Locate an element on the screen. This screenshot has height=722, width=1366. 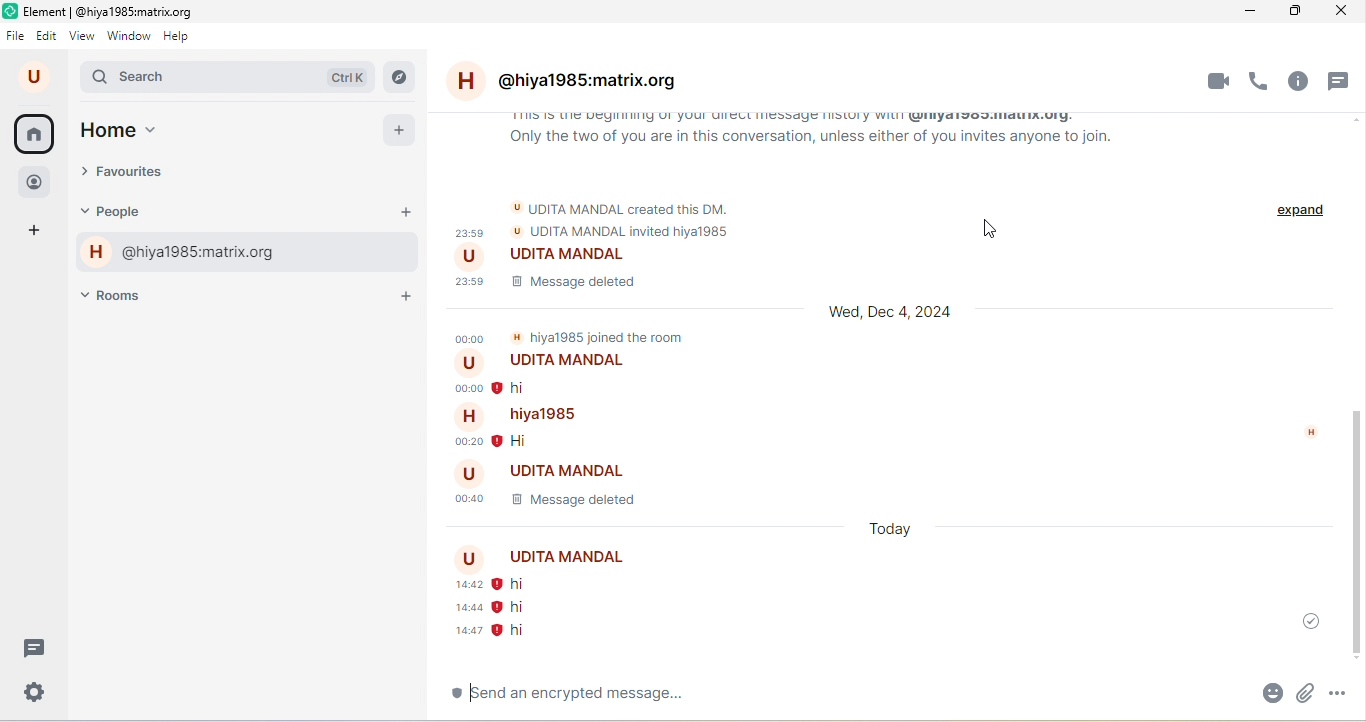
message deleted is located at coordinates (587, 497).